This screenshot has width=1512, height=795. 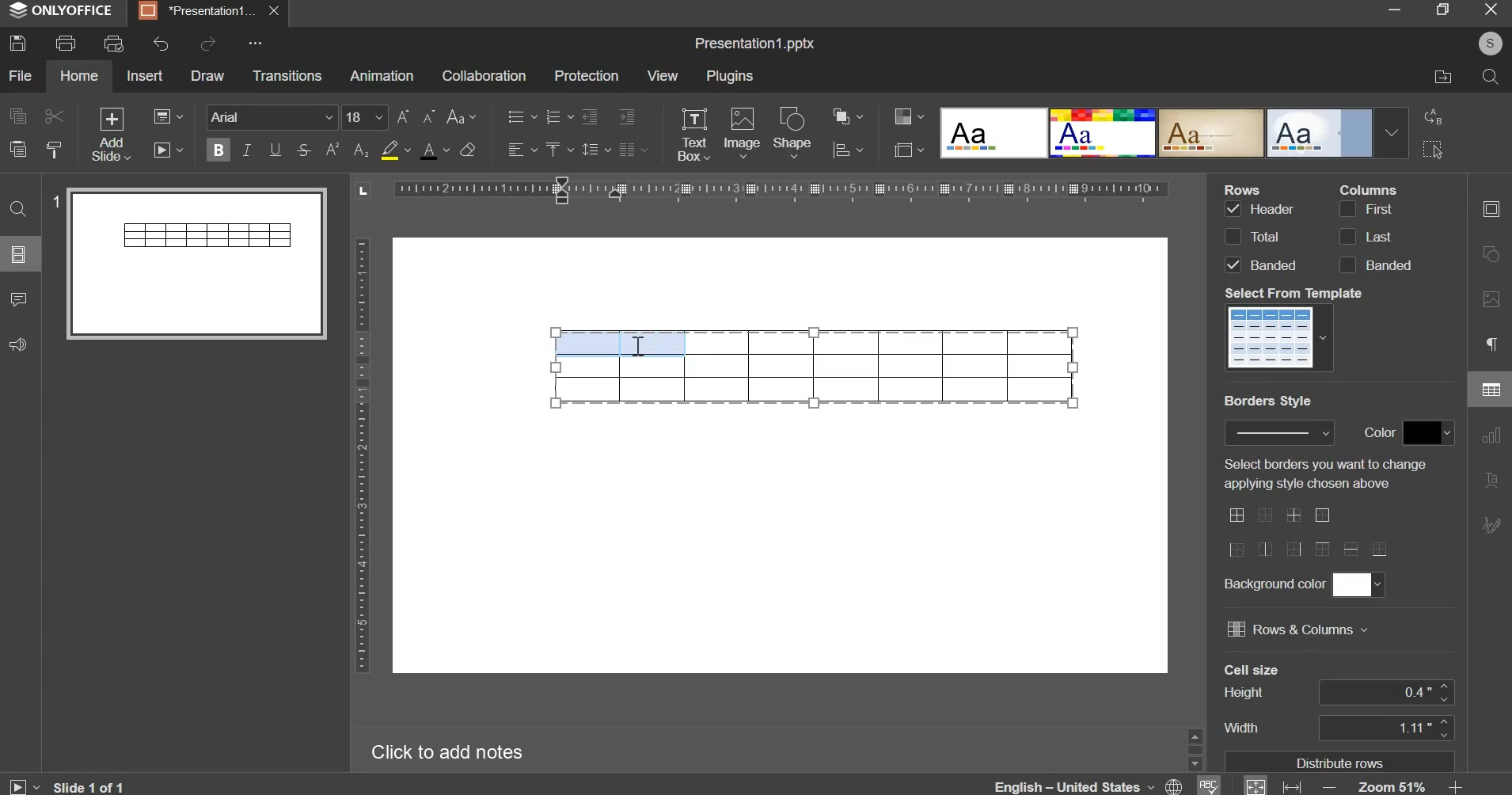 What do you see at coordinates (521, 116) in the screenshot?
I see `bullets` at bounding box center [521, 116].